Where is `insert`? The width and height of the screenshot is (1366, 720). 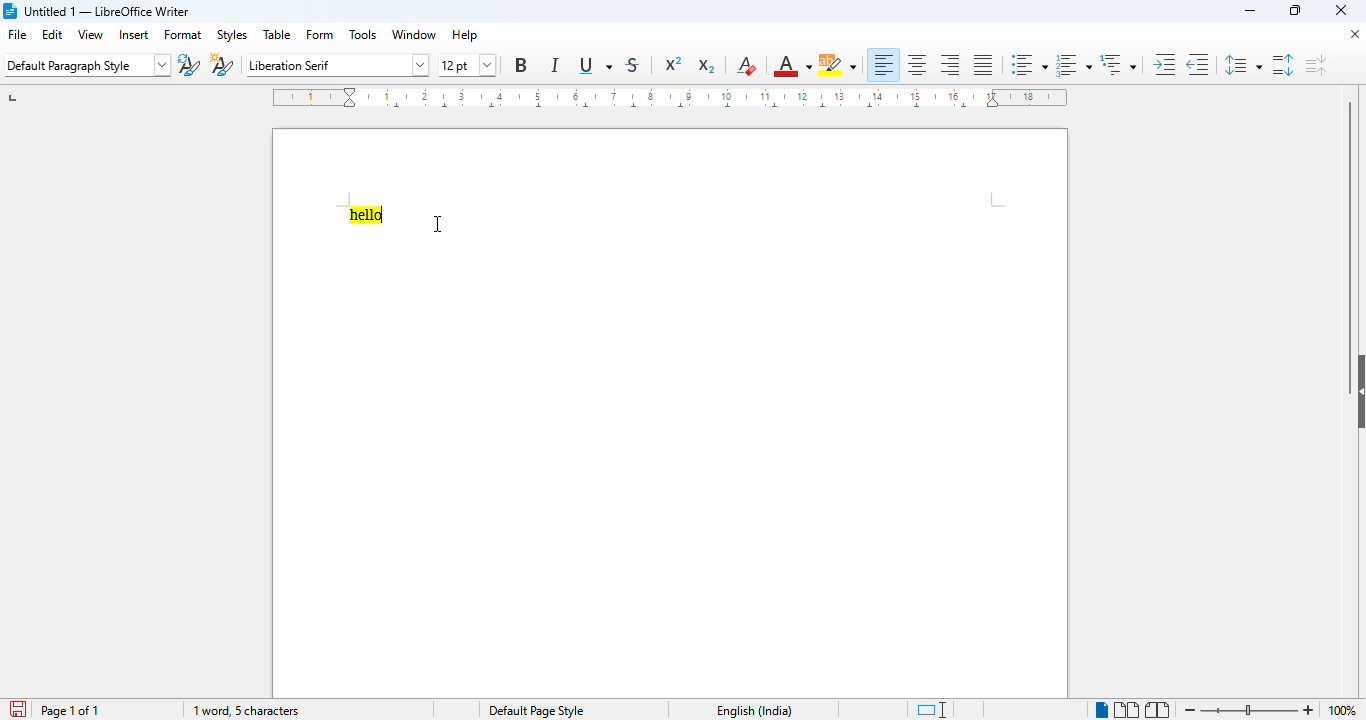 insert is located at coordinates (134, 35).